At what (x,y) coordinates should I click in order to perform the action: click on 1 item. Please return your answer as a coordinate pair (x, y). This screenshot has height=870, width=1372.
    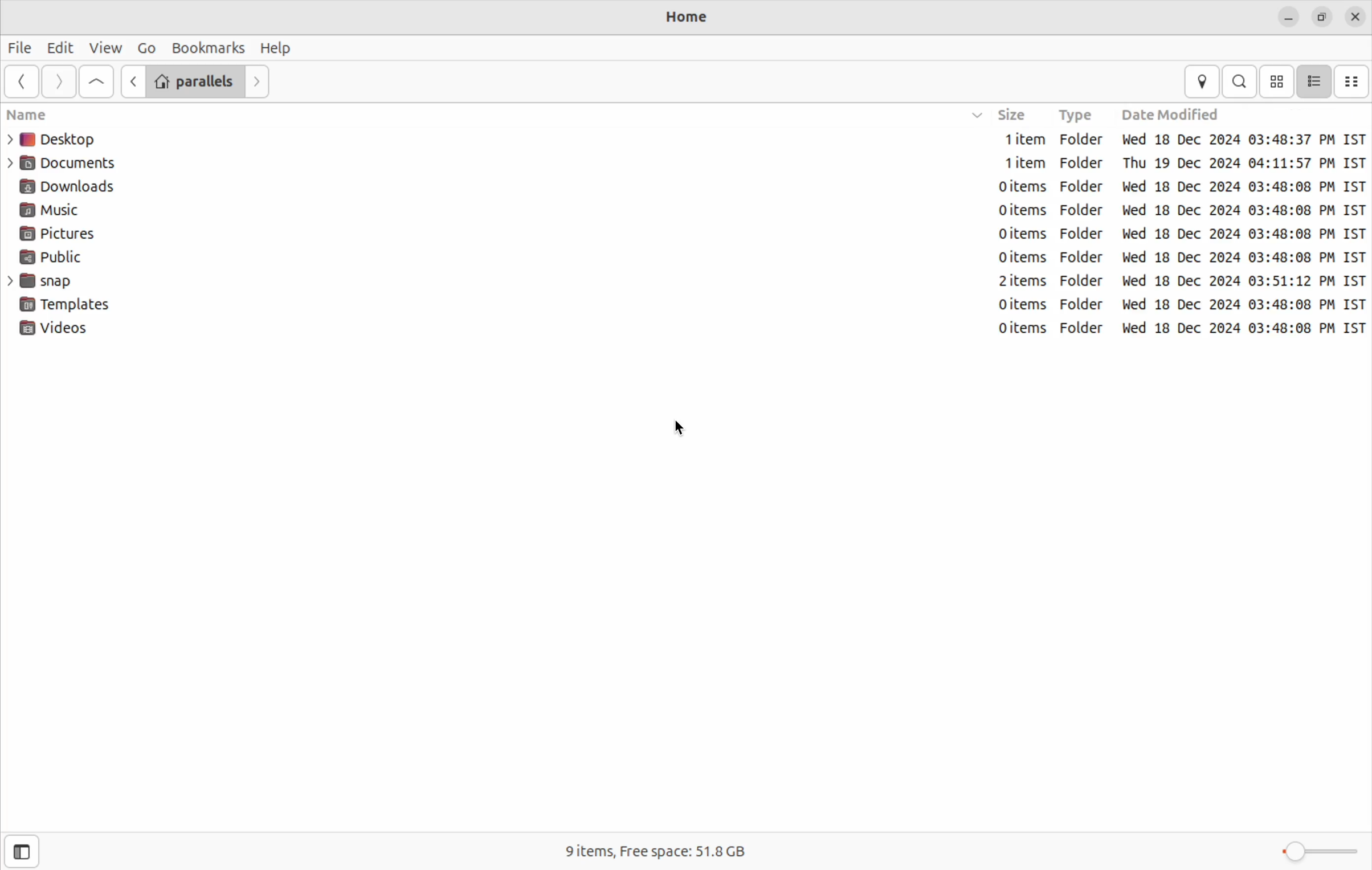
    Looking at the image, I should click on (1018, 139).